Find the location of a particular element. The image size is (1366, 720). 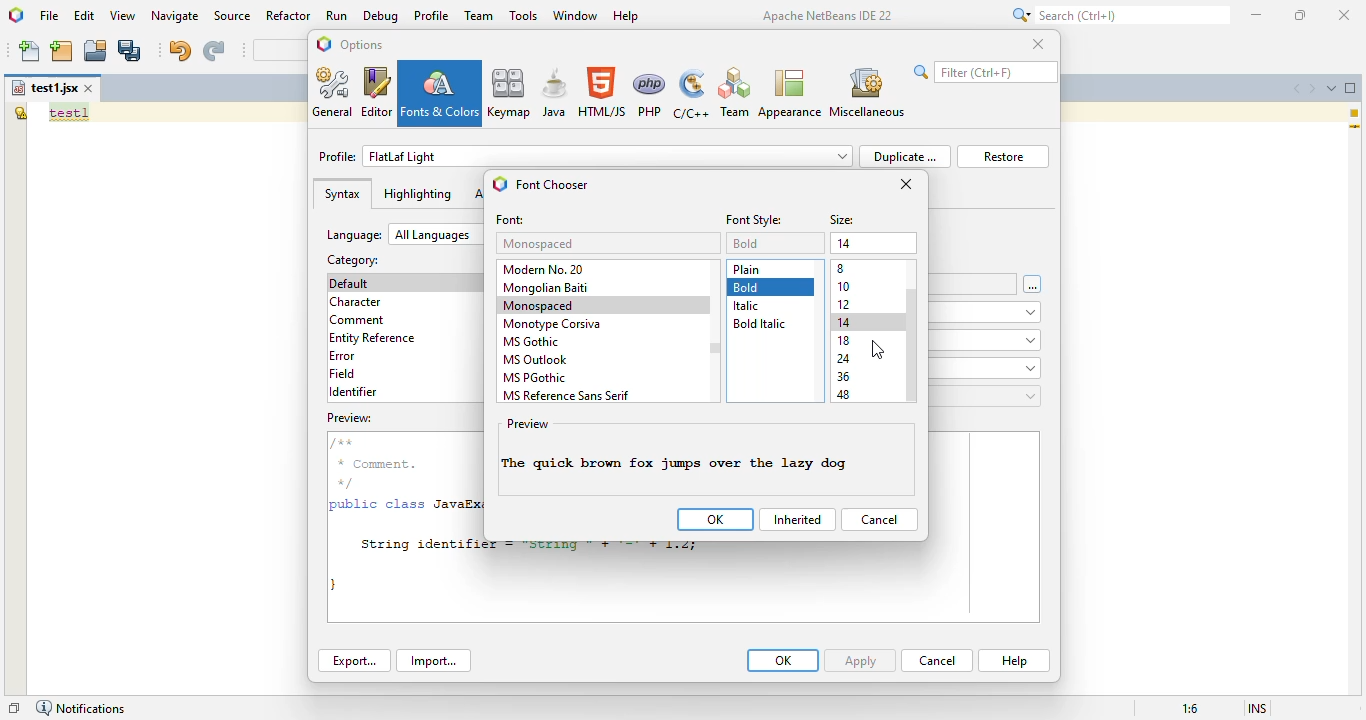

window is located at coordinates (575, 15).